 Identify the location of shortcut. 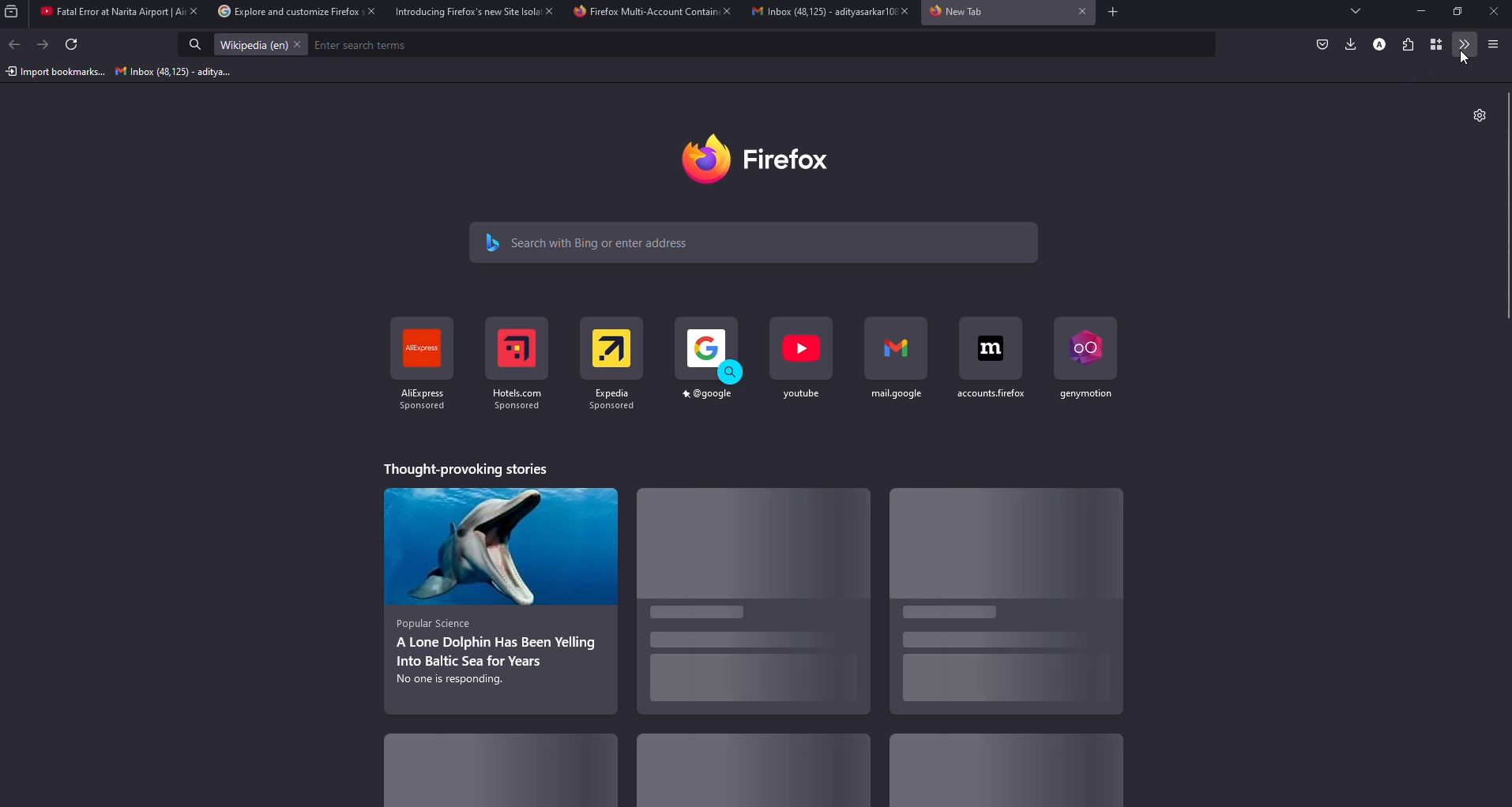
(417, 367).